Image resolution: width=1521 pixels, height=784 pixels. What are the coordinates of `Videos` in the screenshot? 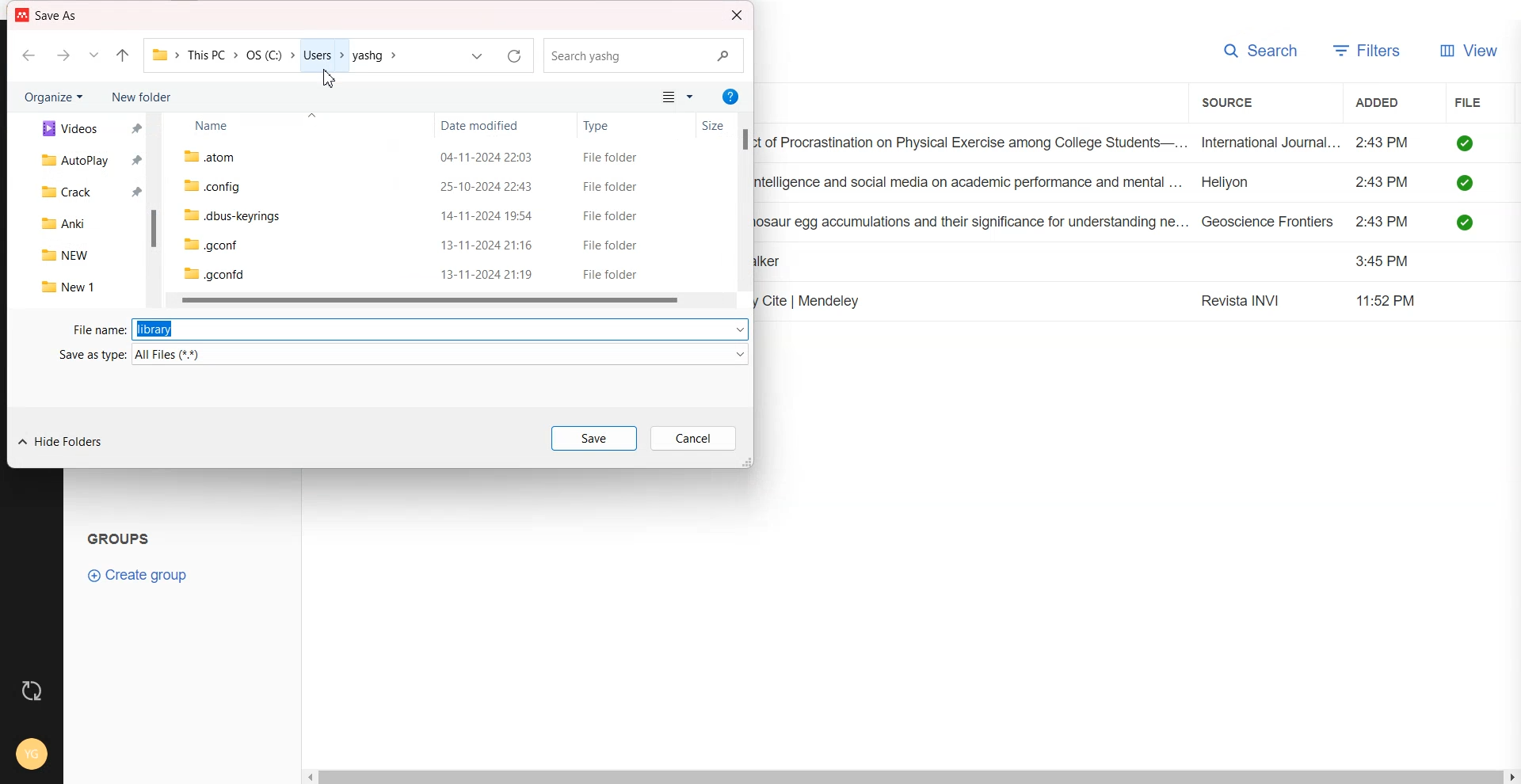 It's located at (89, 128).